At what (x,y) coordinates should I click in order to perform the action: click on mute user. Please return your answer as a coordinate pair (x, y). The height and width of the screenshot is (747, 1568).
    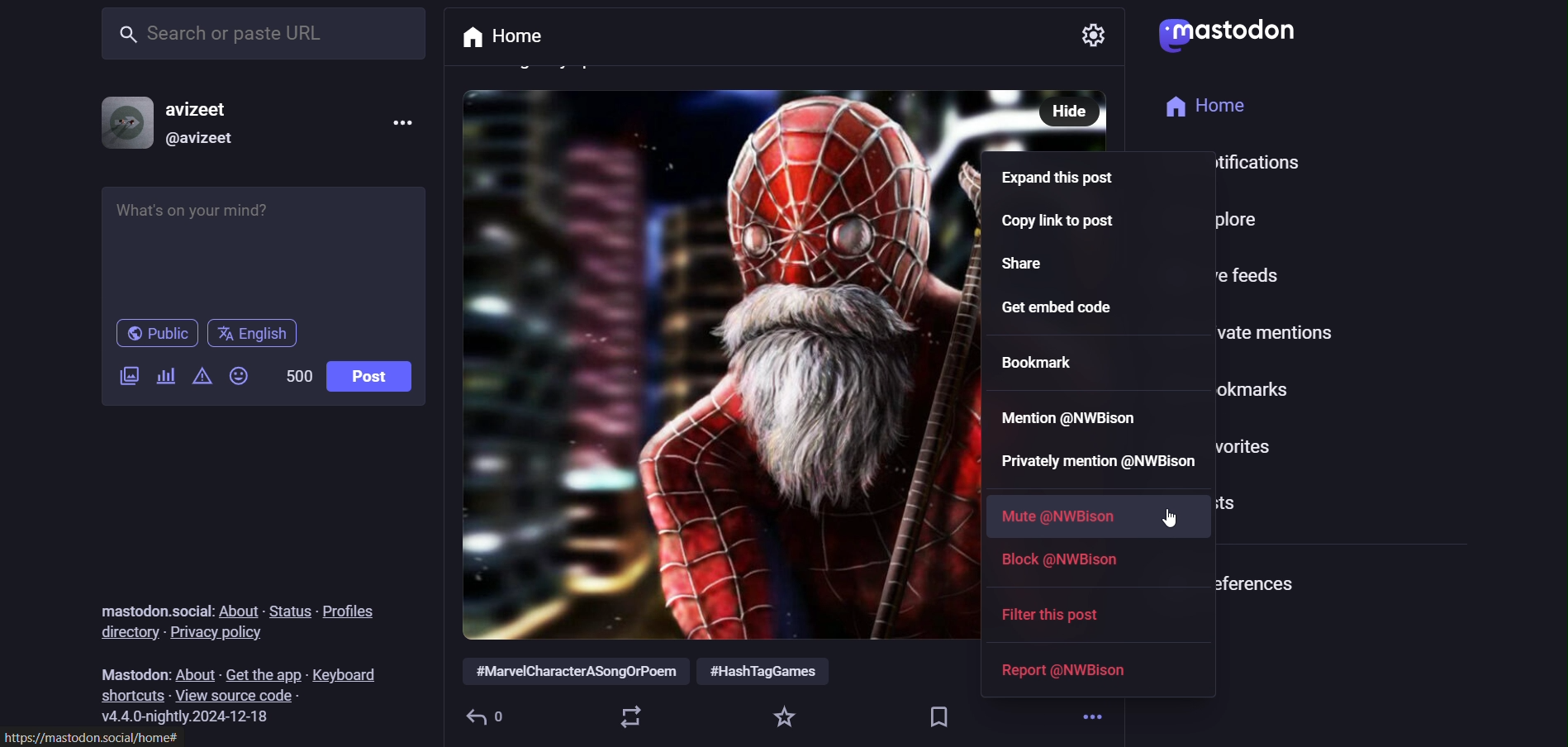
    Looking at the image, I should click on (1060, 514).